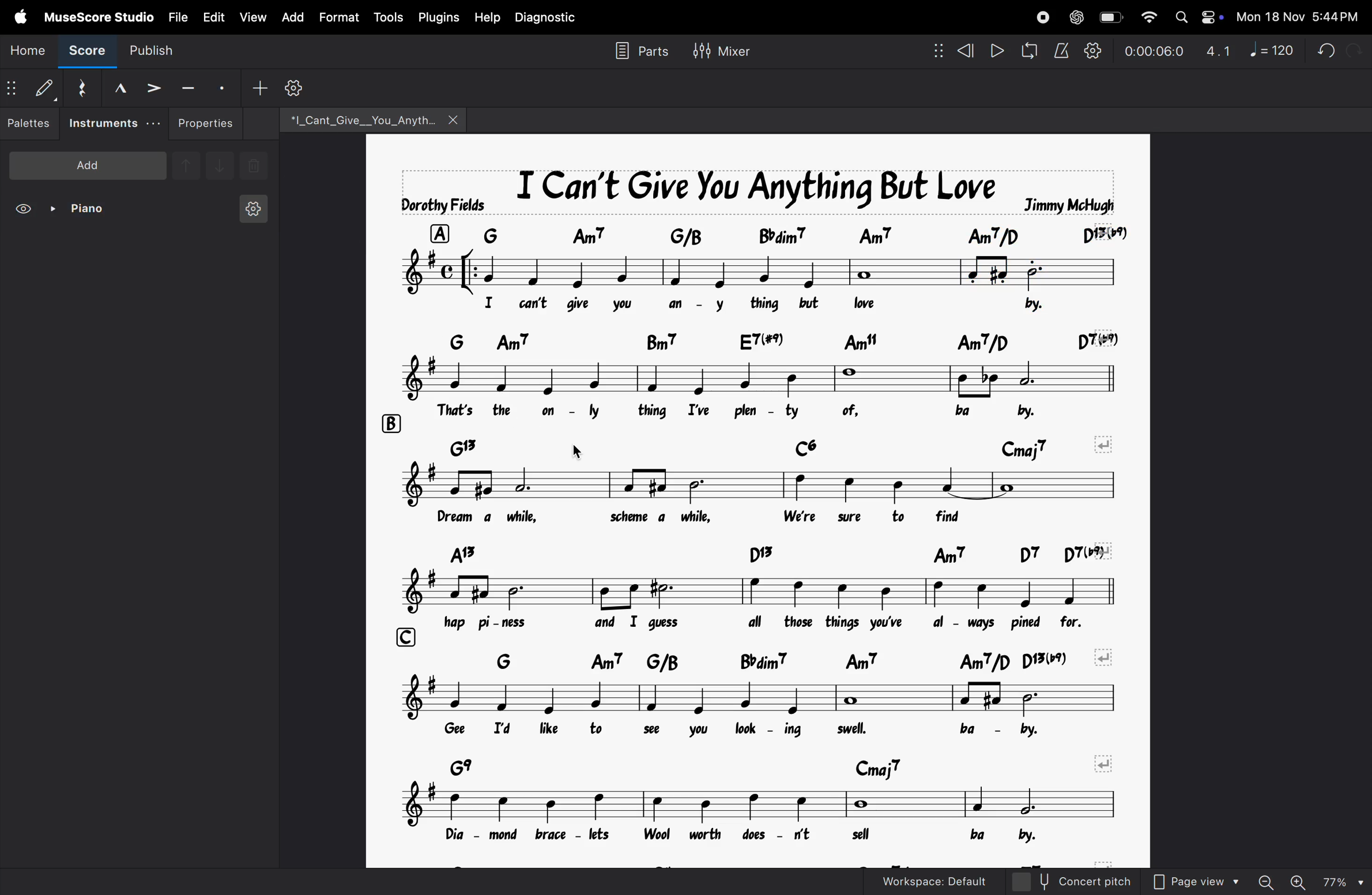 The image size is (1372, 895). What do you see at coordinates (771, 731) in the screenshot?
I see `lyrics` at bounding box center [771, 731].